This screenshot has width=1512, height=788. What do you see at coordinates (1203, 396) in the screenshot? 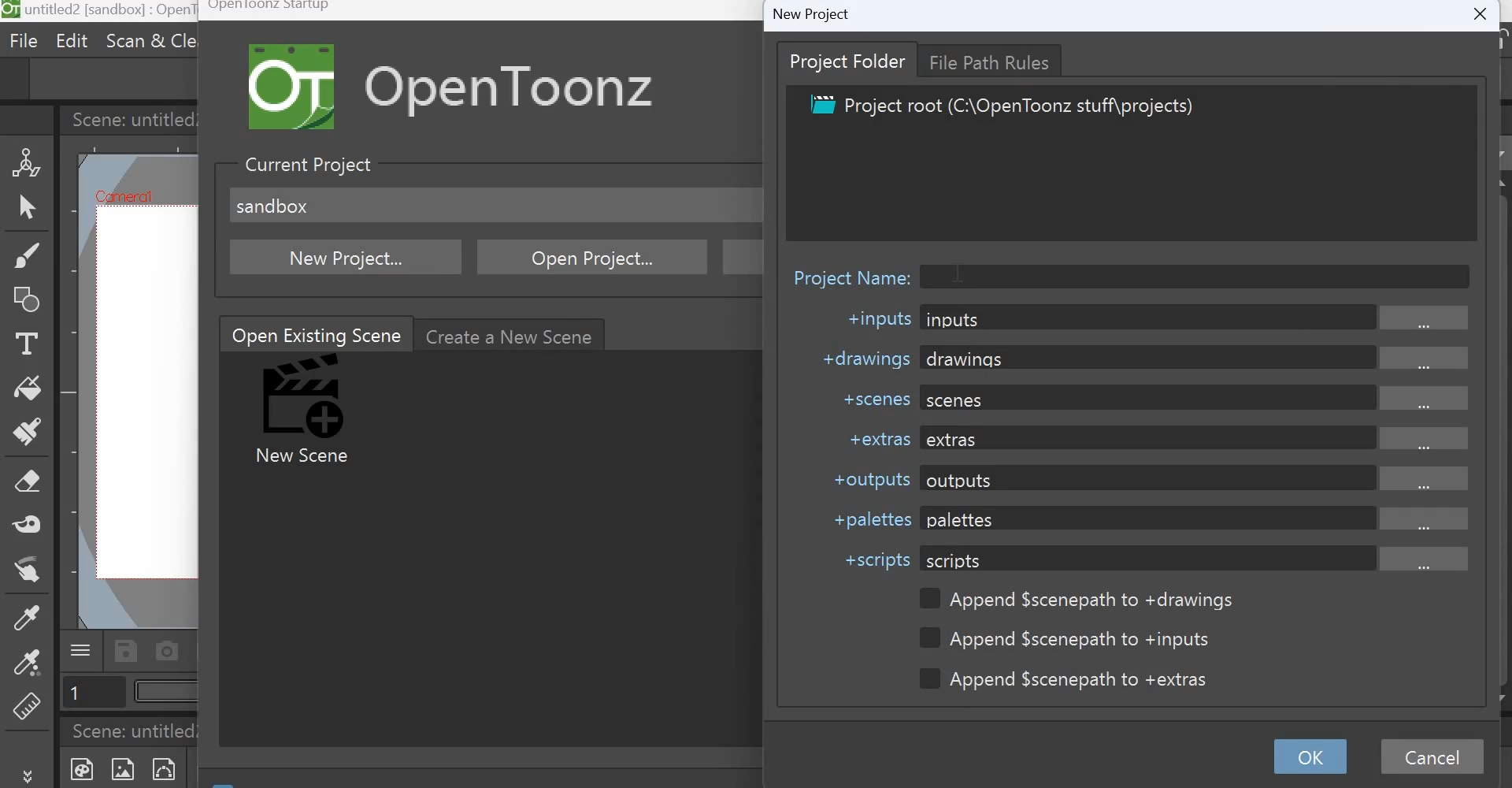
I see `scenes` at bounding box center [1203, 396].